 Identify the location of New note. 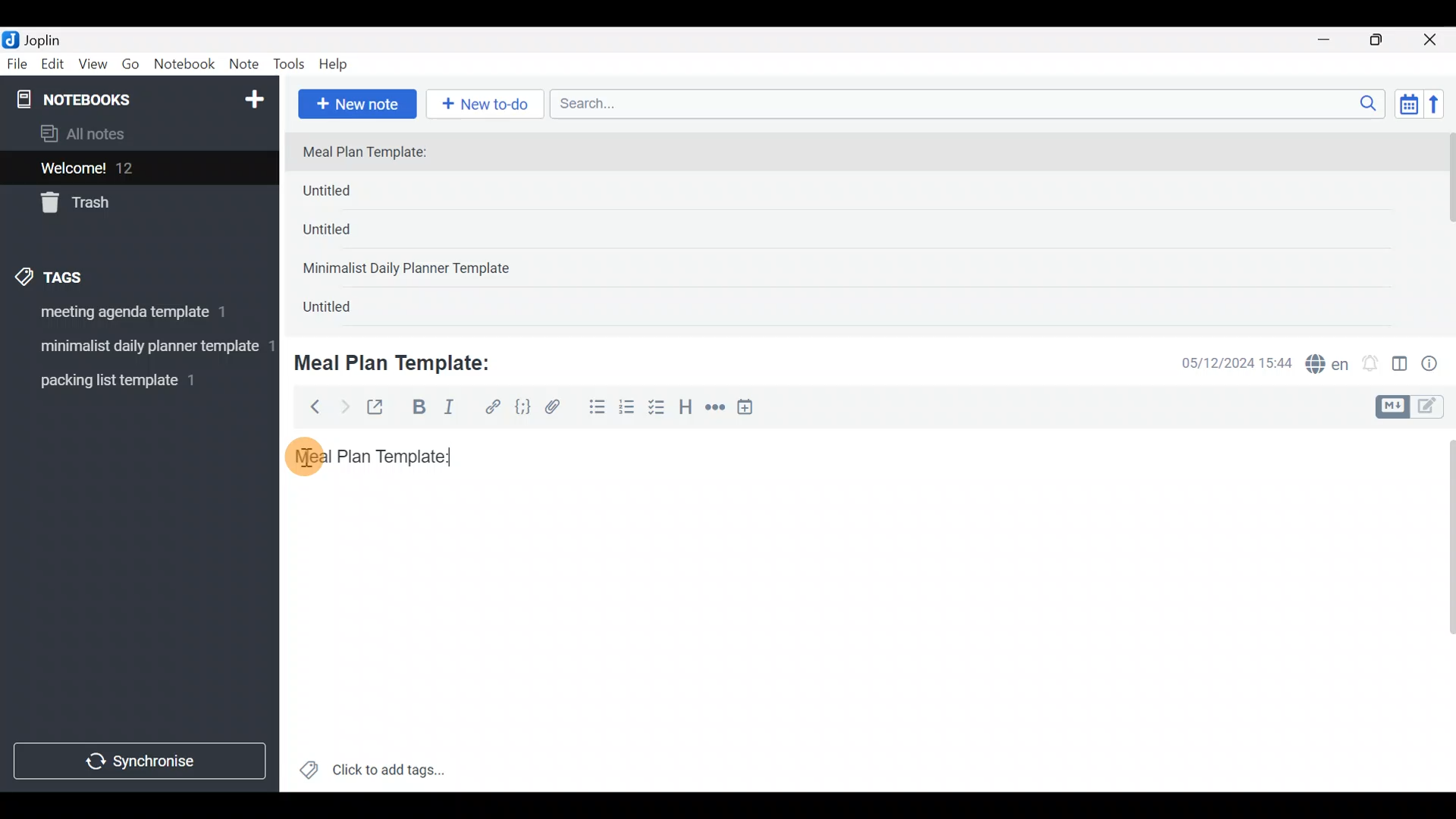
(356, 102).